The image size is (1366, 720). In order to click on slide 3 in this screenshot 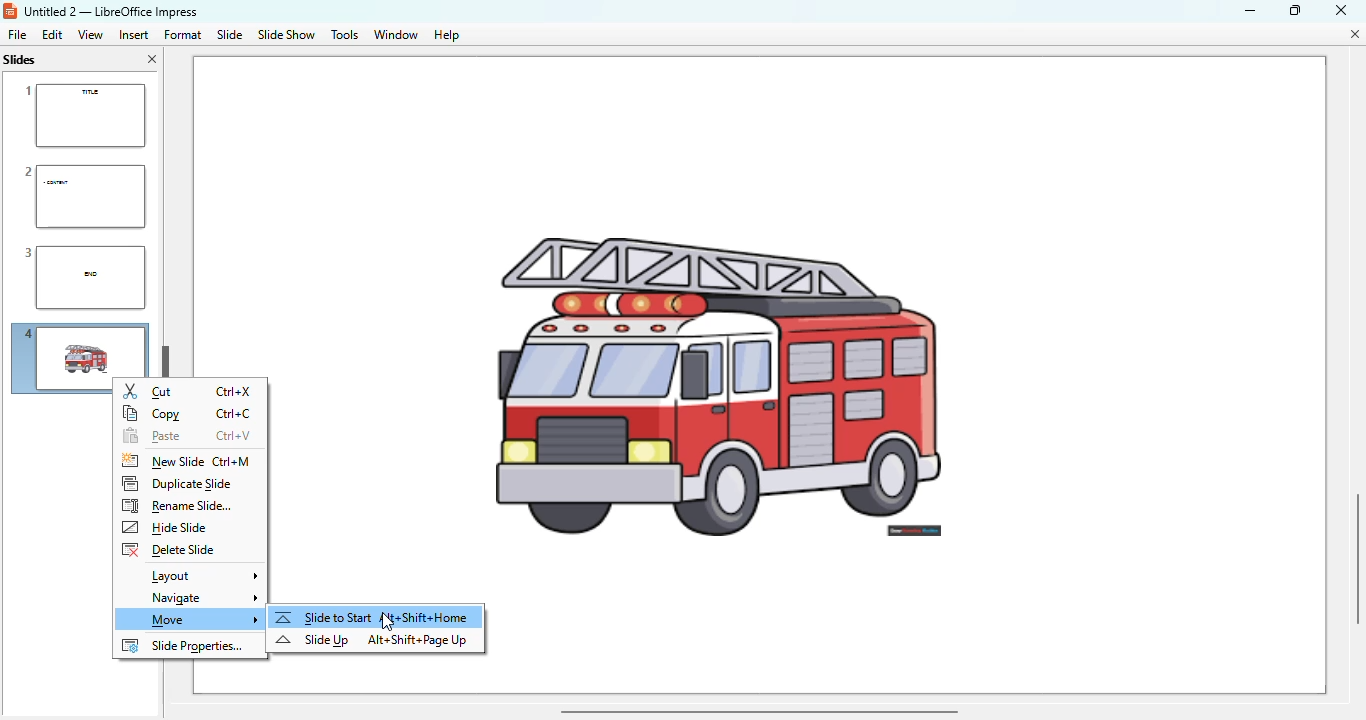, I will do `click(81, 278)`.